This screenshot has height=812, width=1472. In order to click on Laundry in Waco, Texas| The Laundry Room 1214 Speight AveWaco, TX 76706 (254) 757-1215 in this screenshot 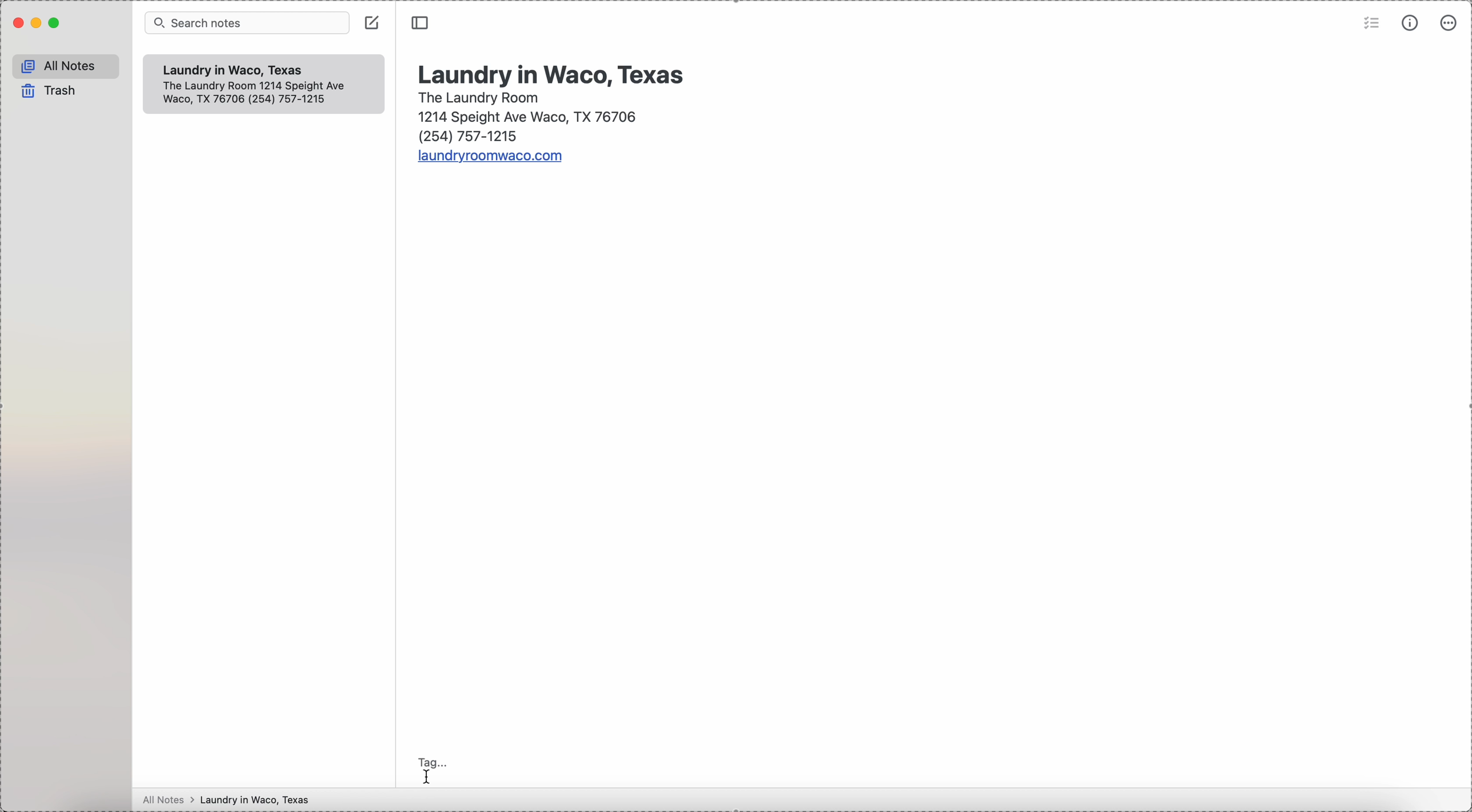, I will do `click(265, 86)`.